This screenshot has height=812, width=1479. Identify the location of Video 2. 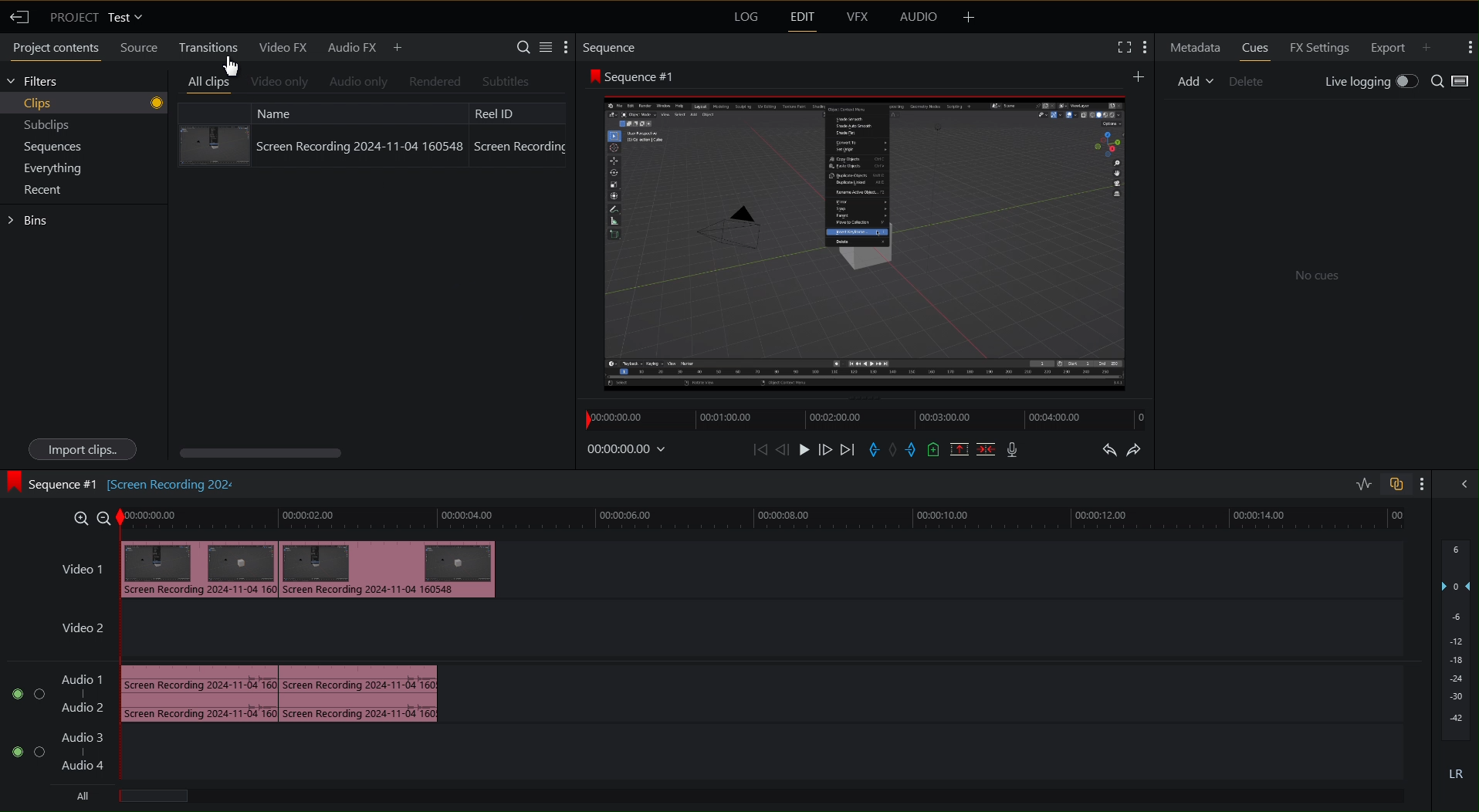
(83, 631).